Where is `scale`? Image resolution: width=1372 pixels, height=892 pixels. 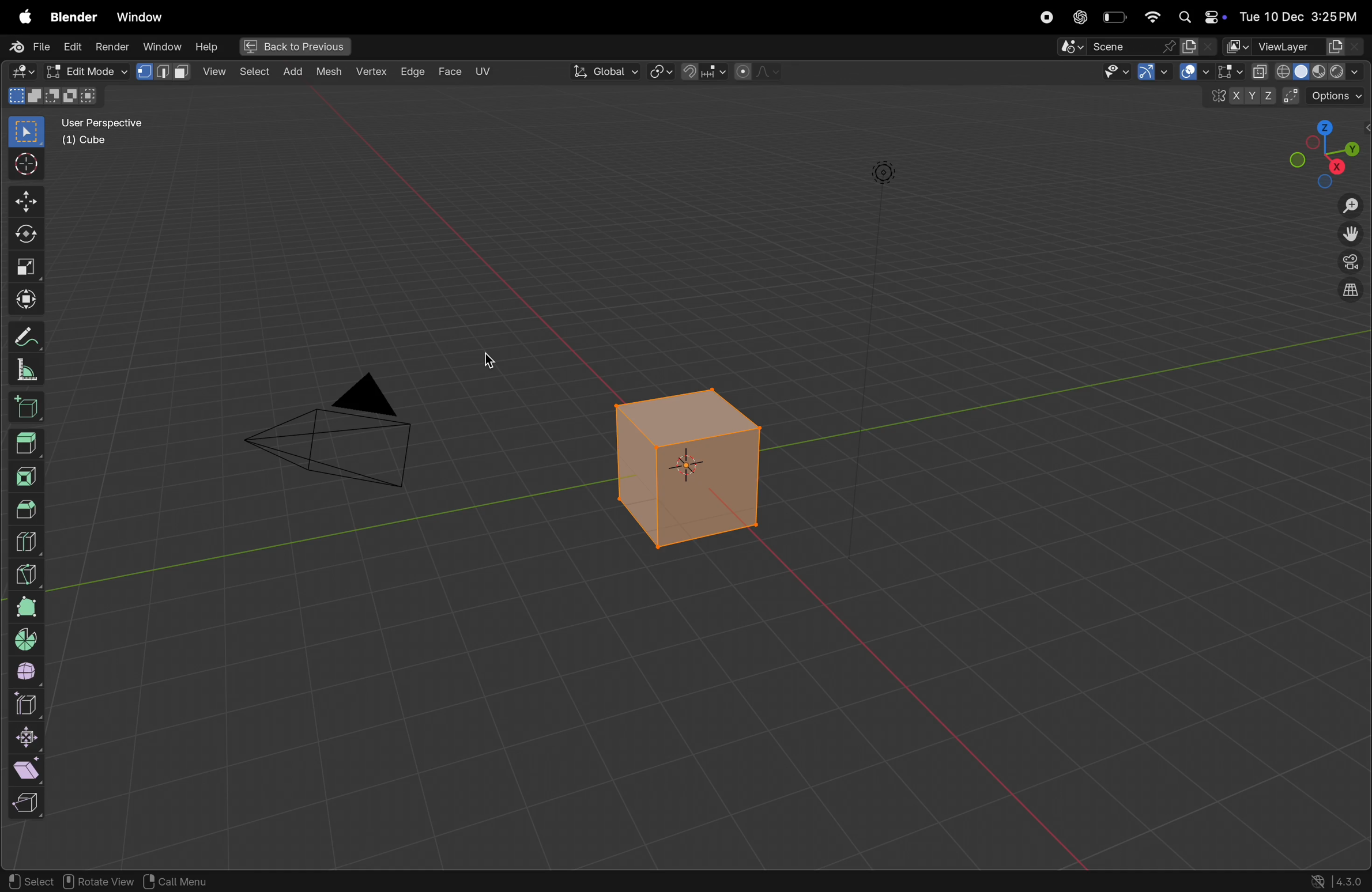 scale is located at coordinates (22, 269).